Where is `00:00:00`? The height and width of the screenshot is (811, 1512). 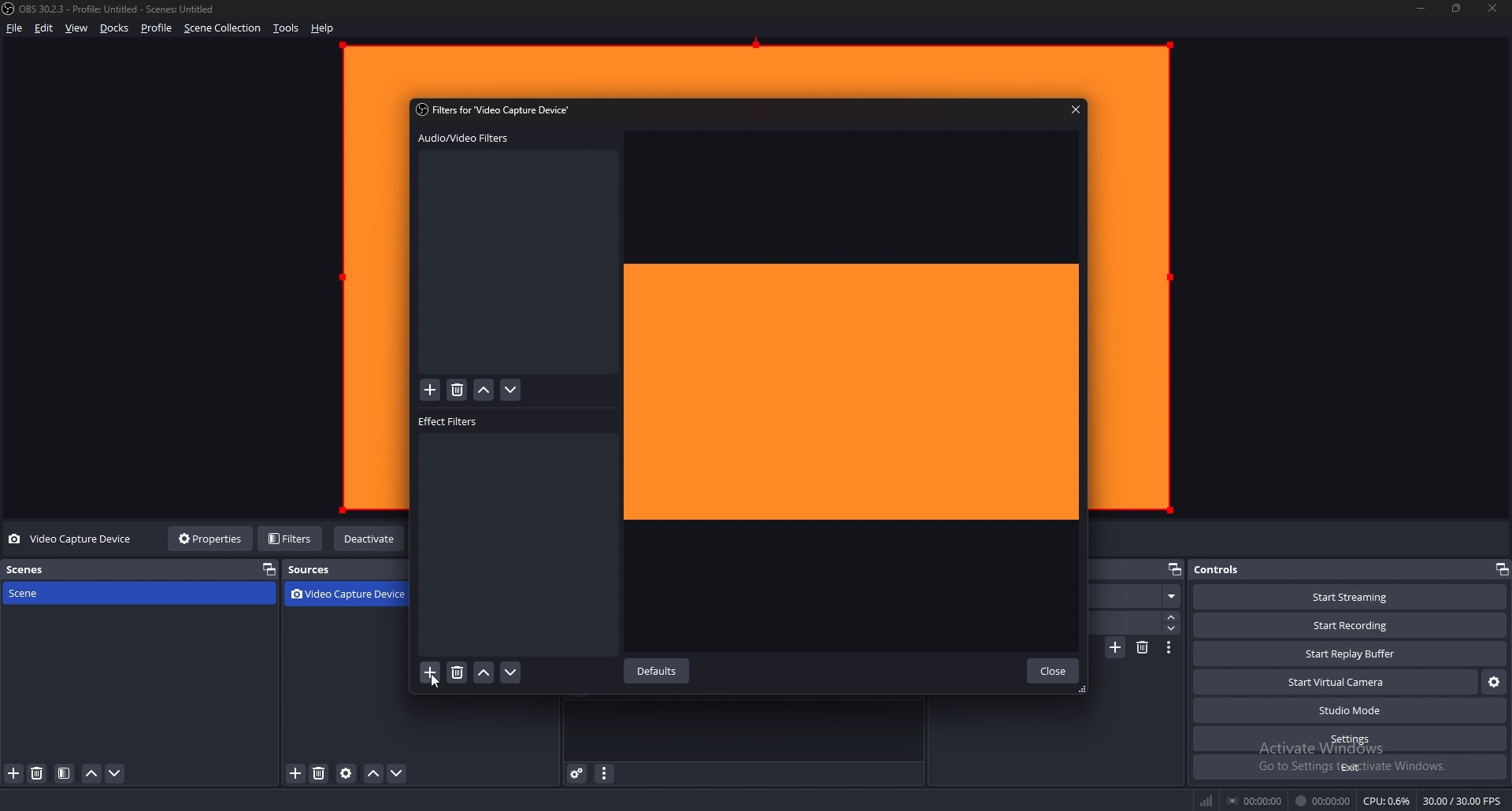
00:00:00 is located at coordinates (1254, 801).